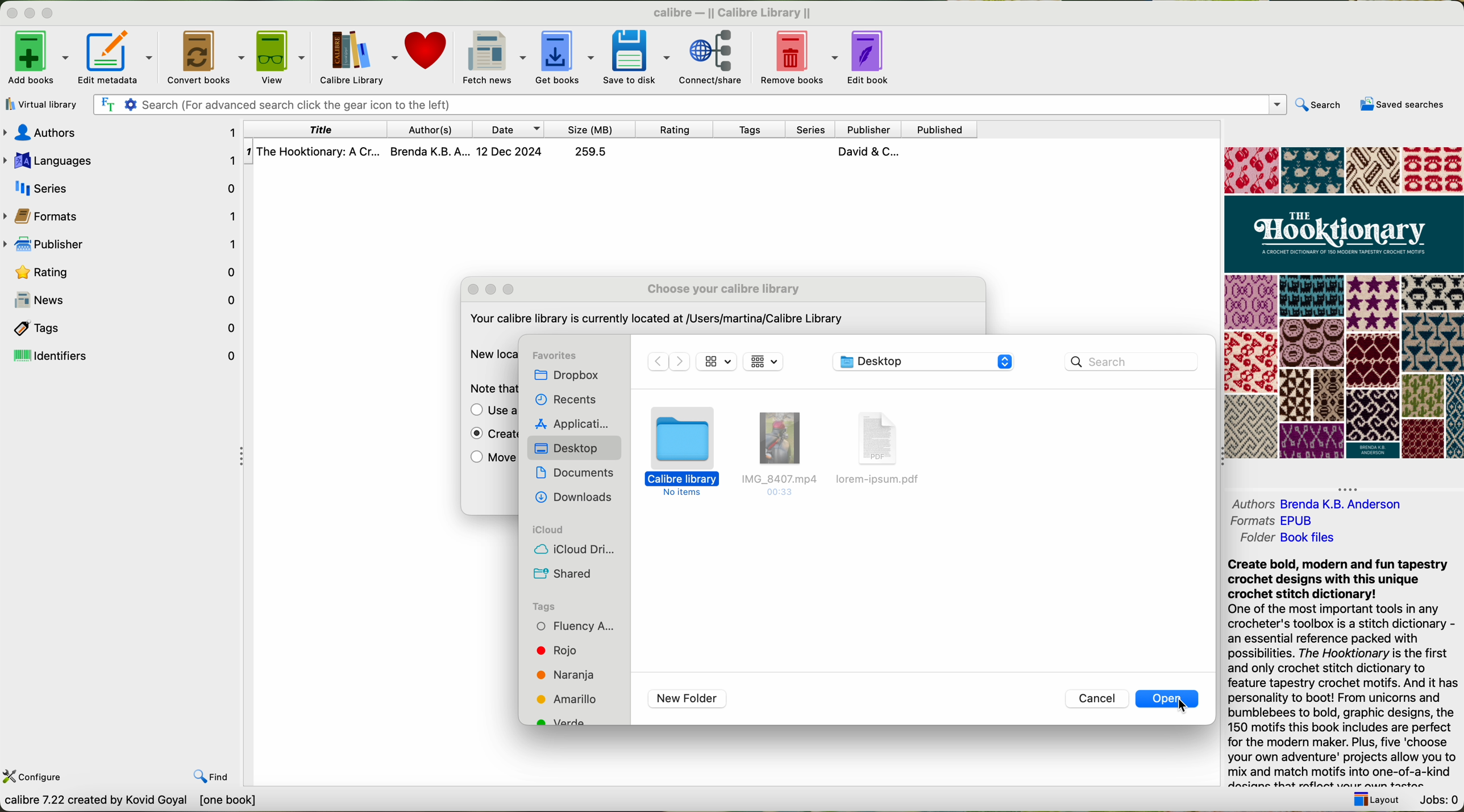 This screenshot has height=812, width=1464. Describe the element at coordinates (48, 13) in the screenshot. I see `maximize` at that location.